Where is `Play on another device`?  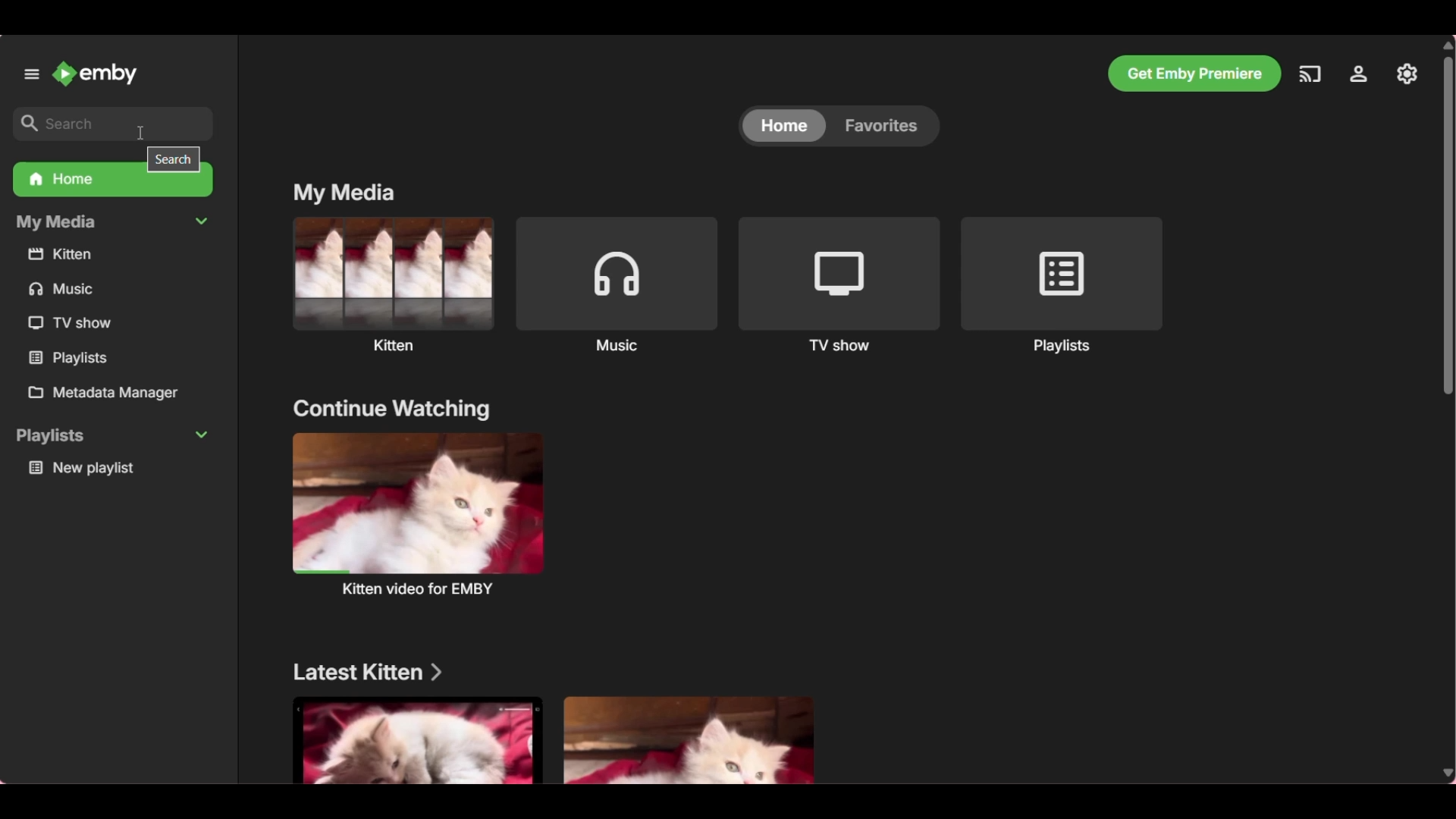 Play on another device is located at coordinates (1309, 74).